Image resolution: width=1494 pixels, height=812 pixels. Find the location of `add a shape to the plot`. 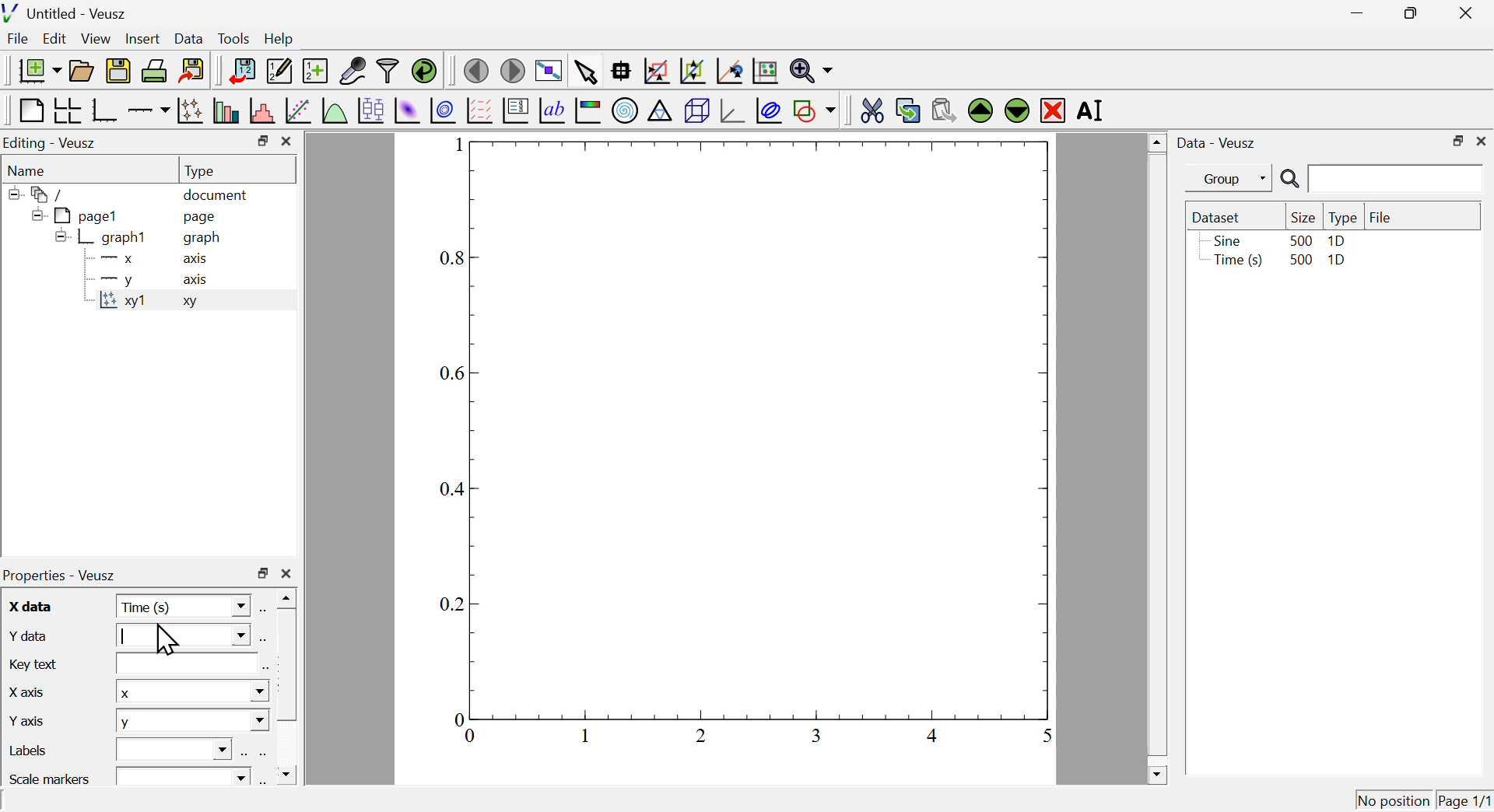

add a shape to the plot is located at coordinates (815, 110).